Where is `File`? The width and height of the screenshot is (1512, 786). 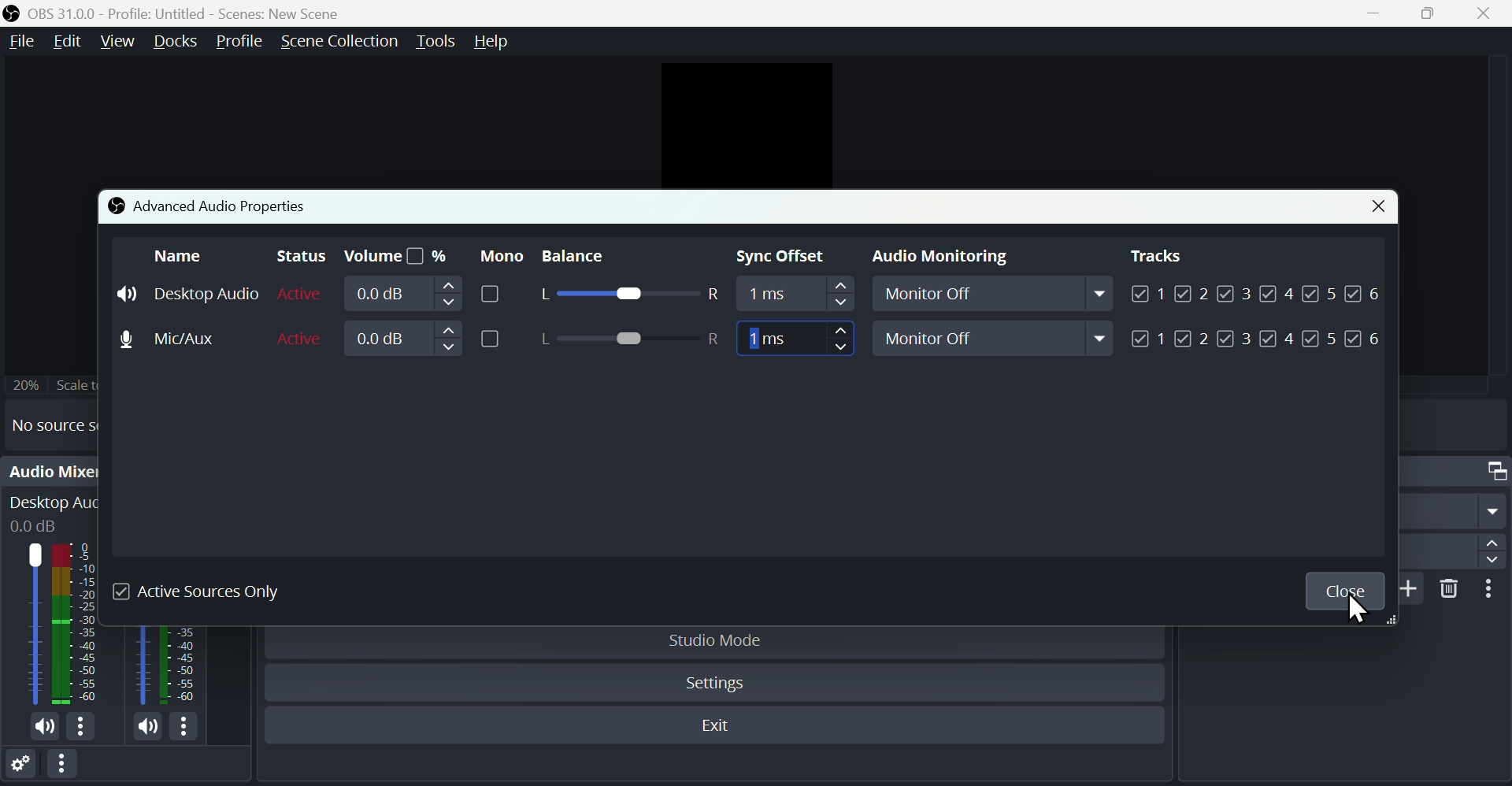 File is located at coordinates (20, 42).